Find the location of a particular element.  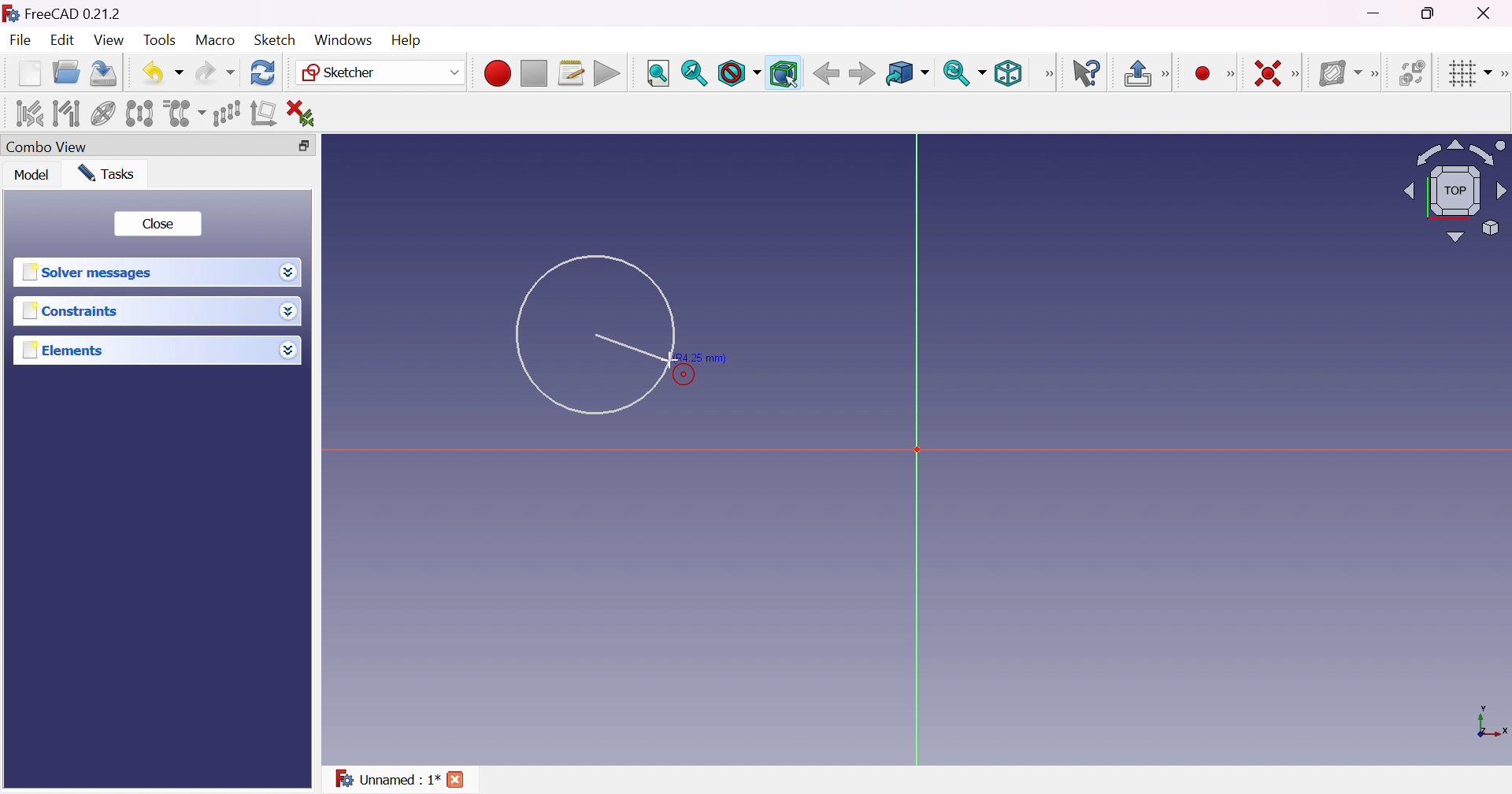

[Sketcher constraints] is located at coordinates (1298, 73).